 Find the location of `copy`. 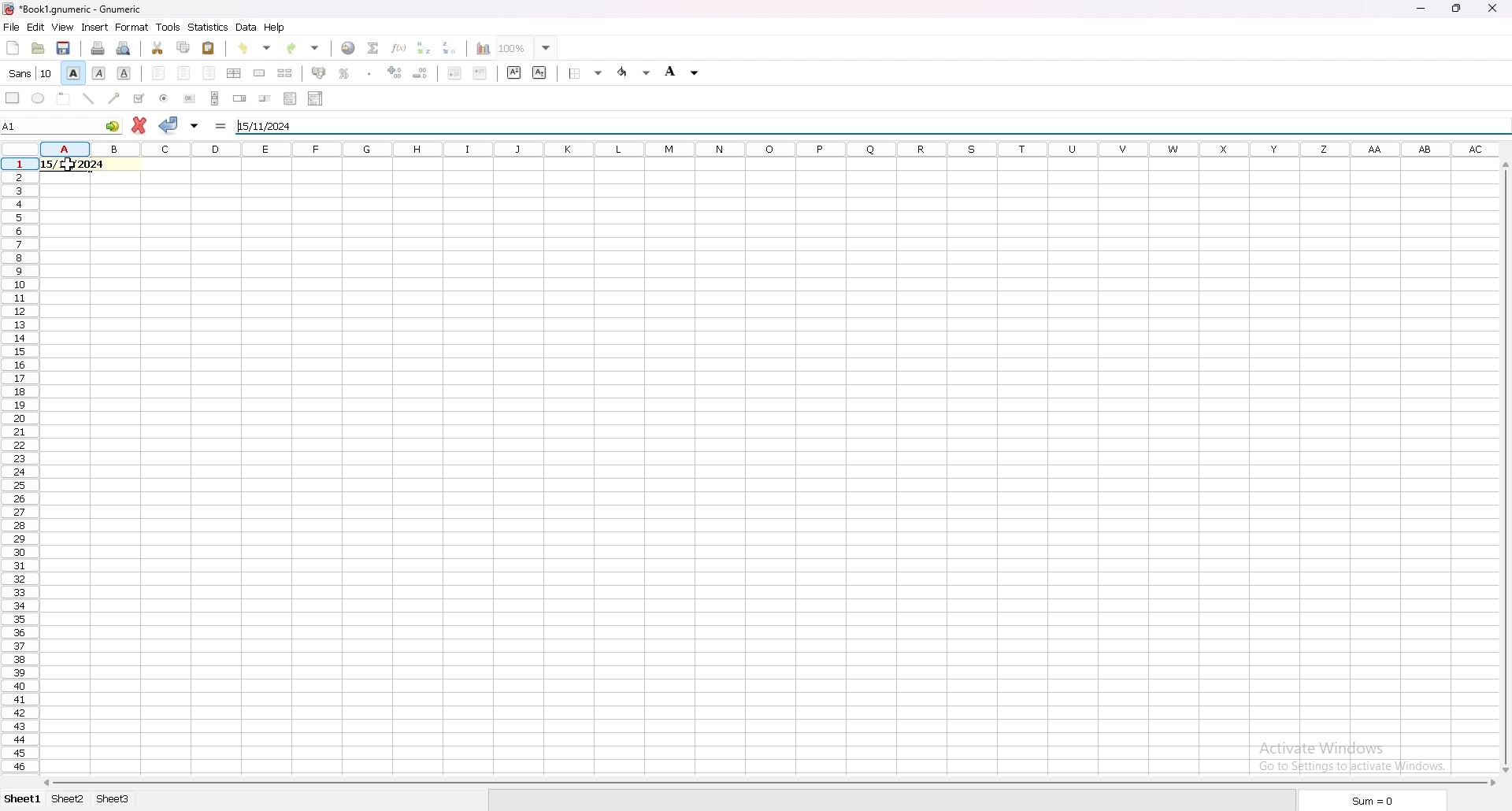

copy is located at coordinates (183, 48).